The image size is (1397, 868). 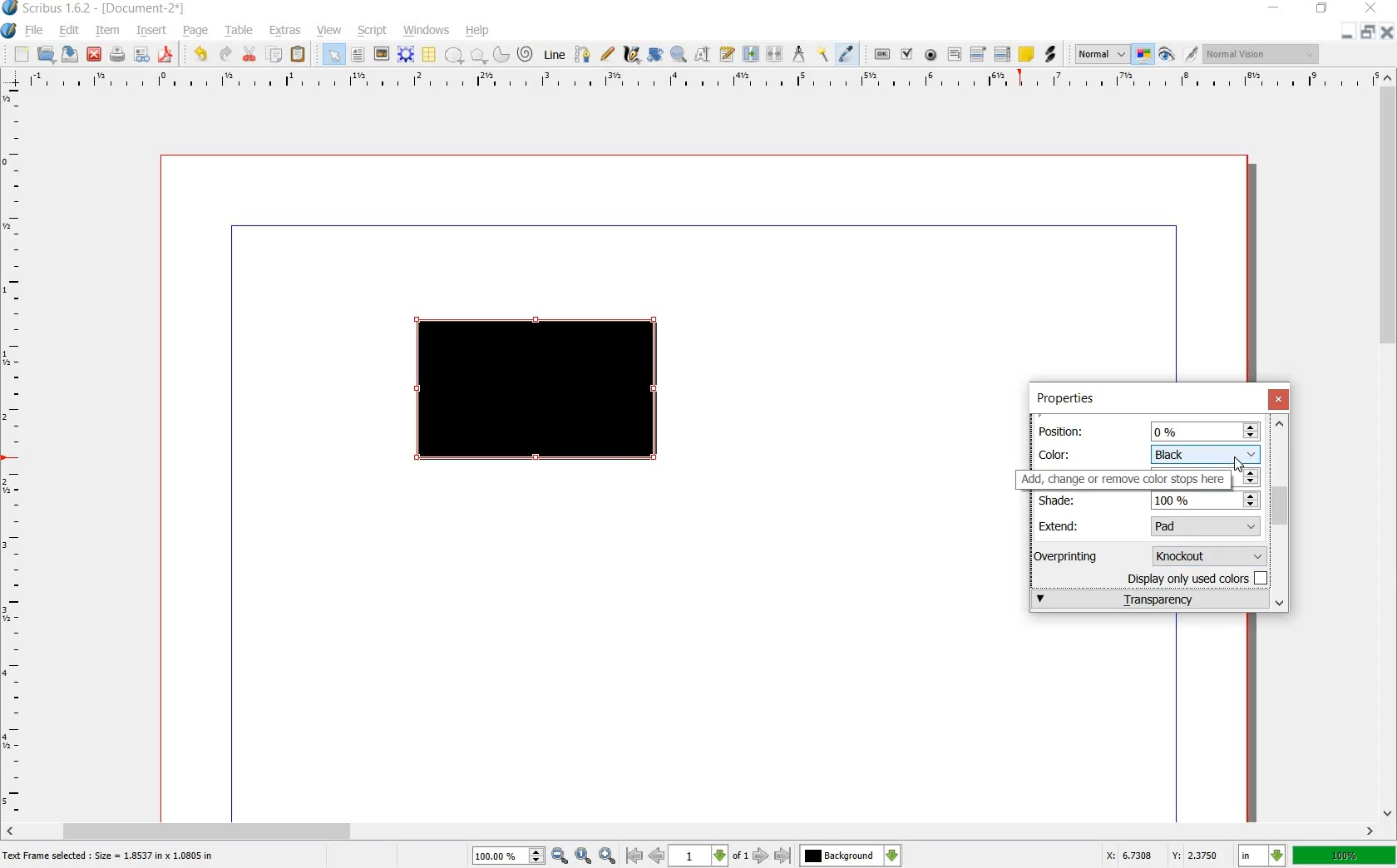 I want to click on polygon, so click(x=476, y=55).